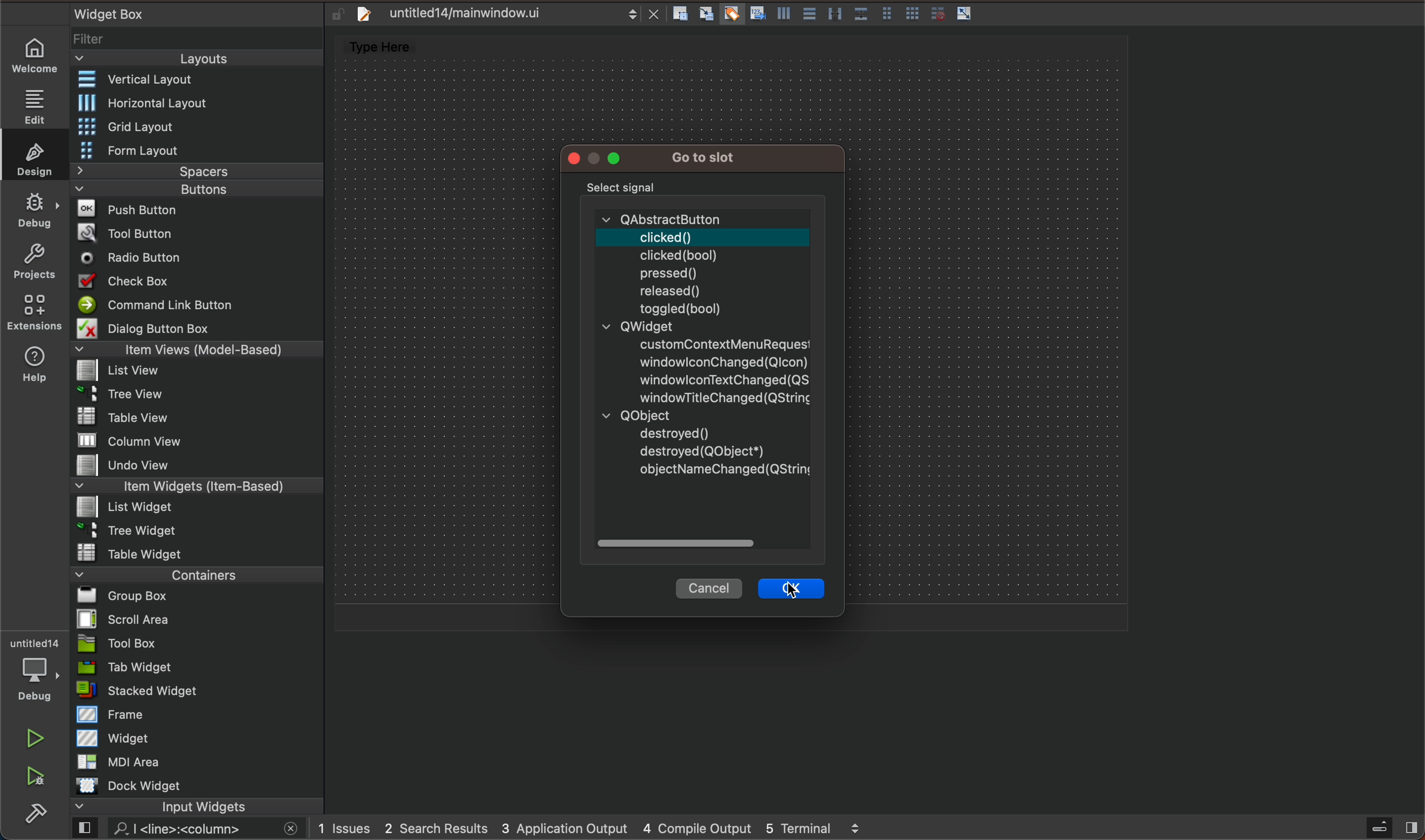 Image resolution: width=1425 pixels, height=840 pixels. I want to click on file tab, so click(503, 16).